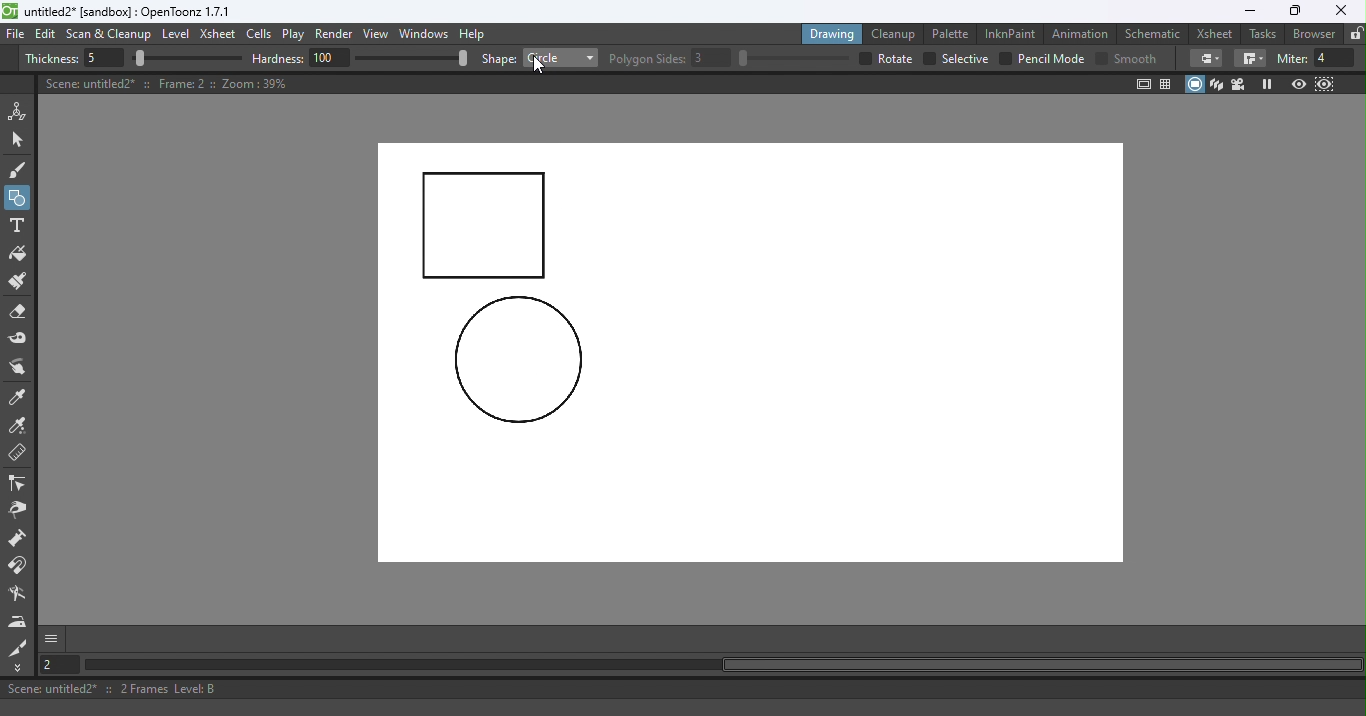  I want to click on More options, so click(51, 638).